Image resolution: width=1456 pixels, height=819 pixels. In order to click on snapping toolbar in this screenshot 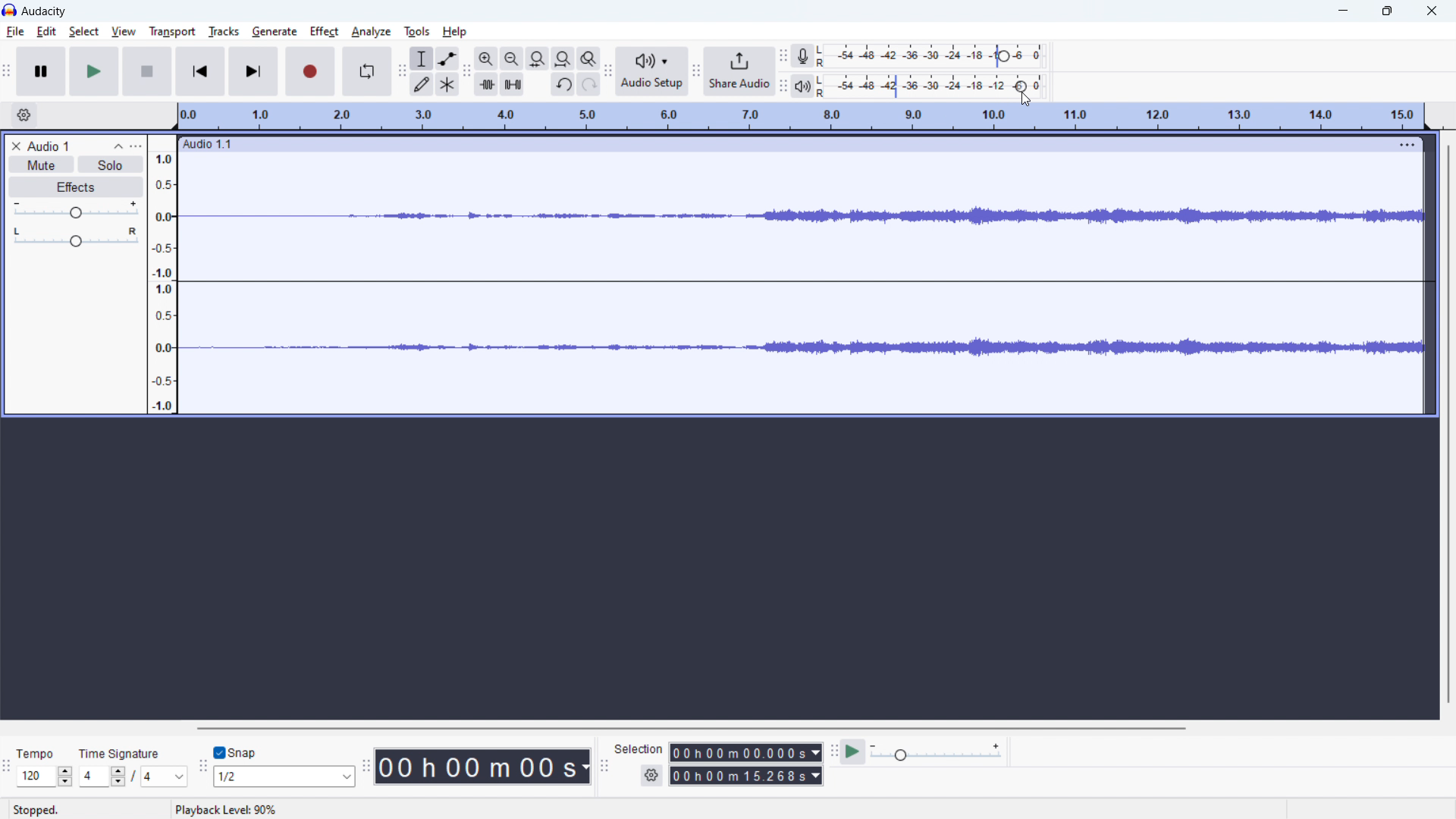, I will do `click(202, 765)`.